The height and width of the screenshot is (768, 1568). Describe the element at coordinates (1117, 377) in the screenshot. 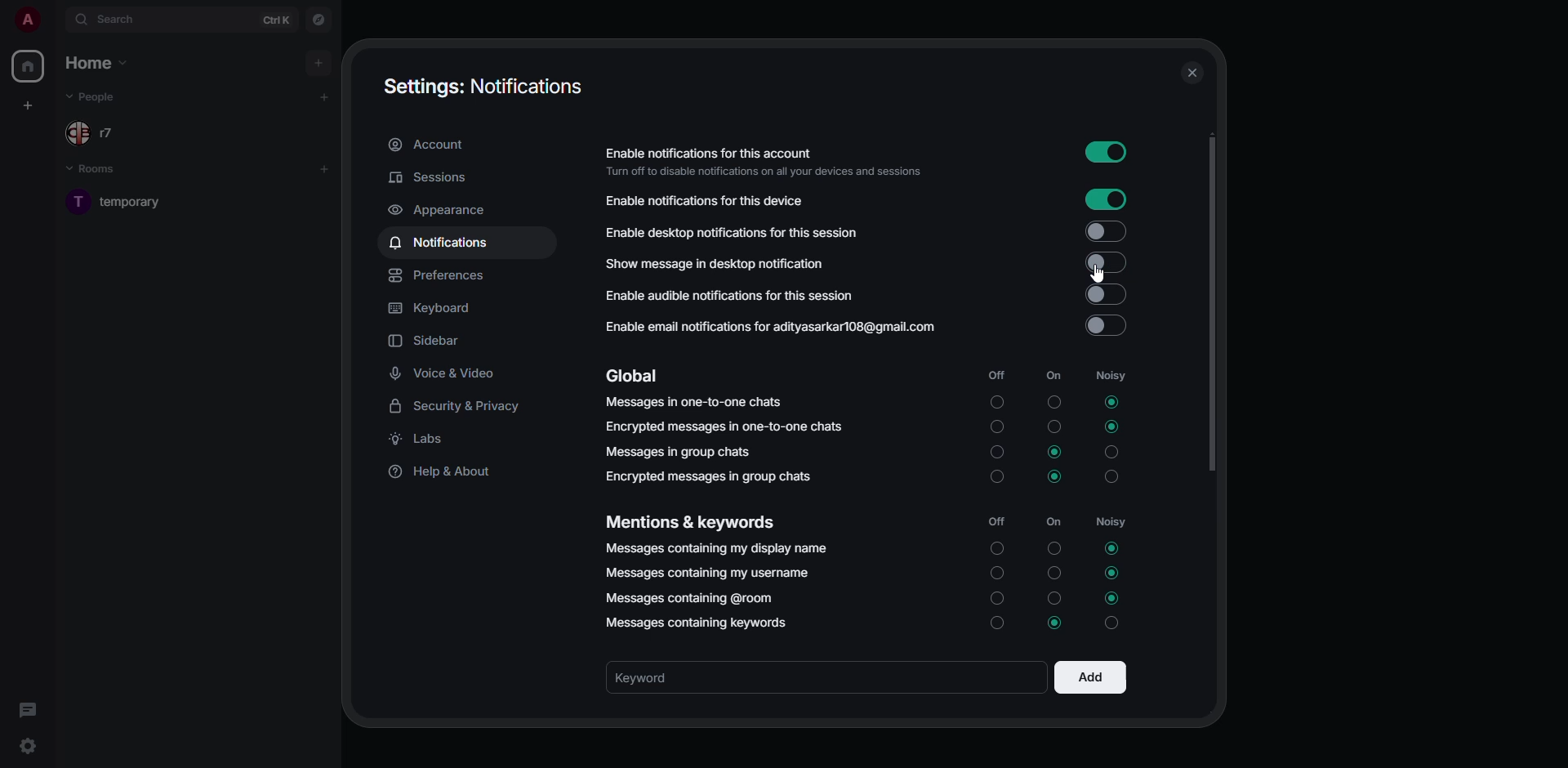

I see `noisy` at that location.